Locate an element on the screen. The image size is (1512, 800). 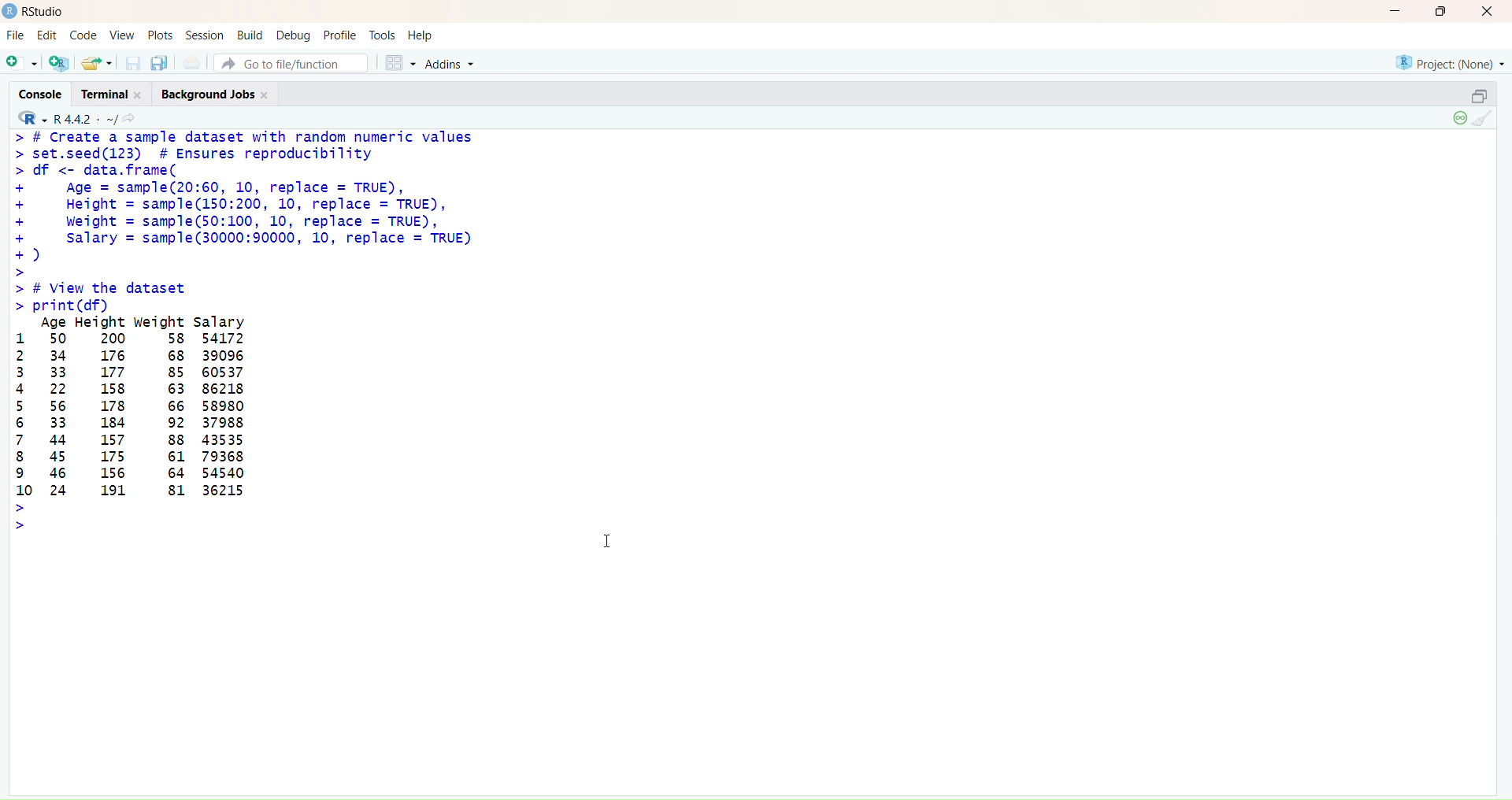
RStudio is located at coordinates (36, 12).